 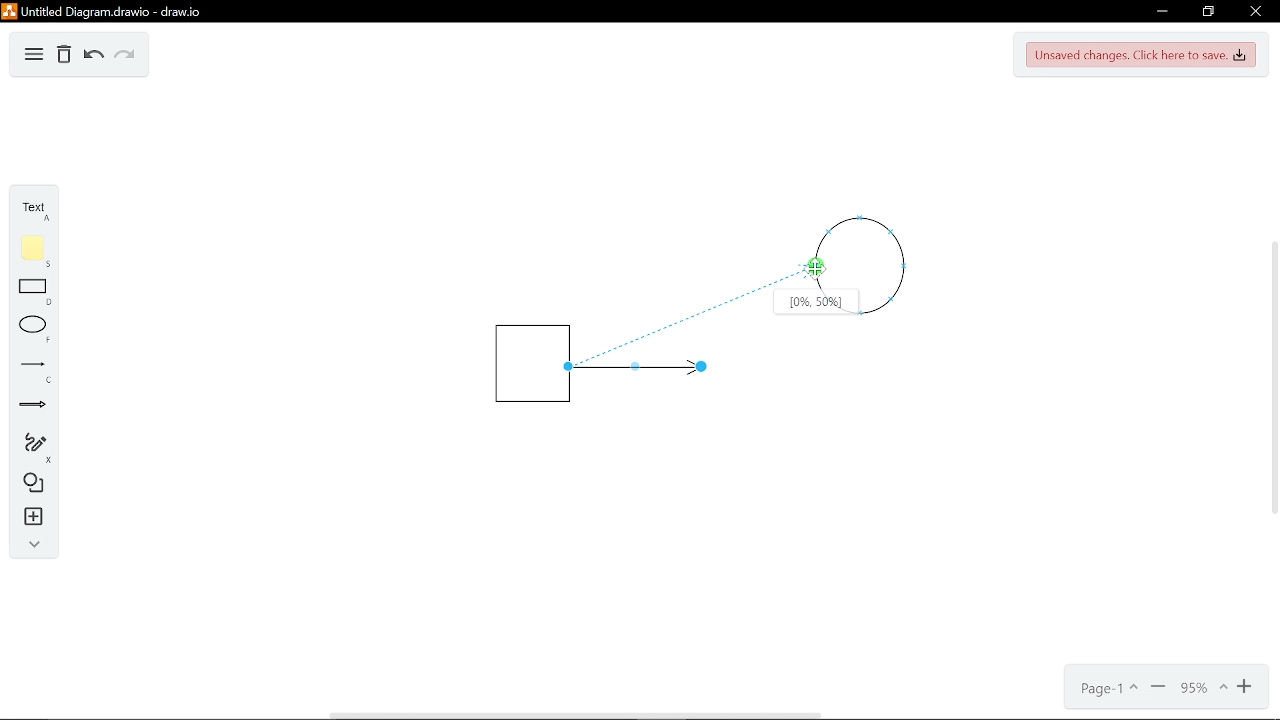 What do you see at coordinates (1162, 12) in the screenshot?
I see `Minimize` at bounding box center [1162, 12].